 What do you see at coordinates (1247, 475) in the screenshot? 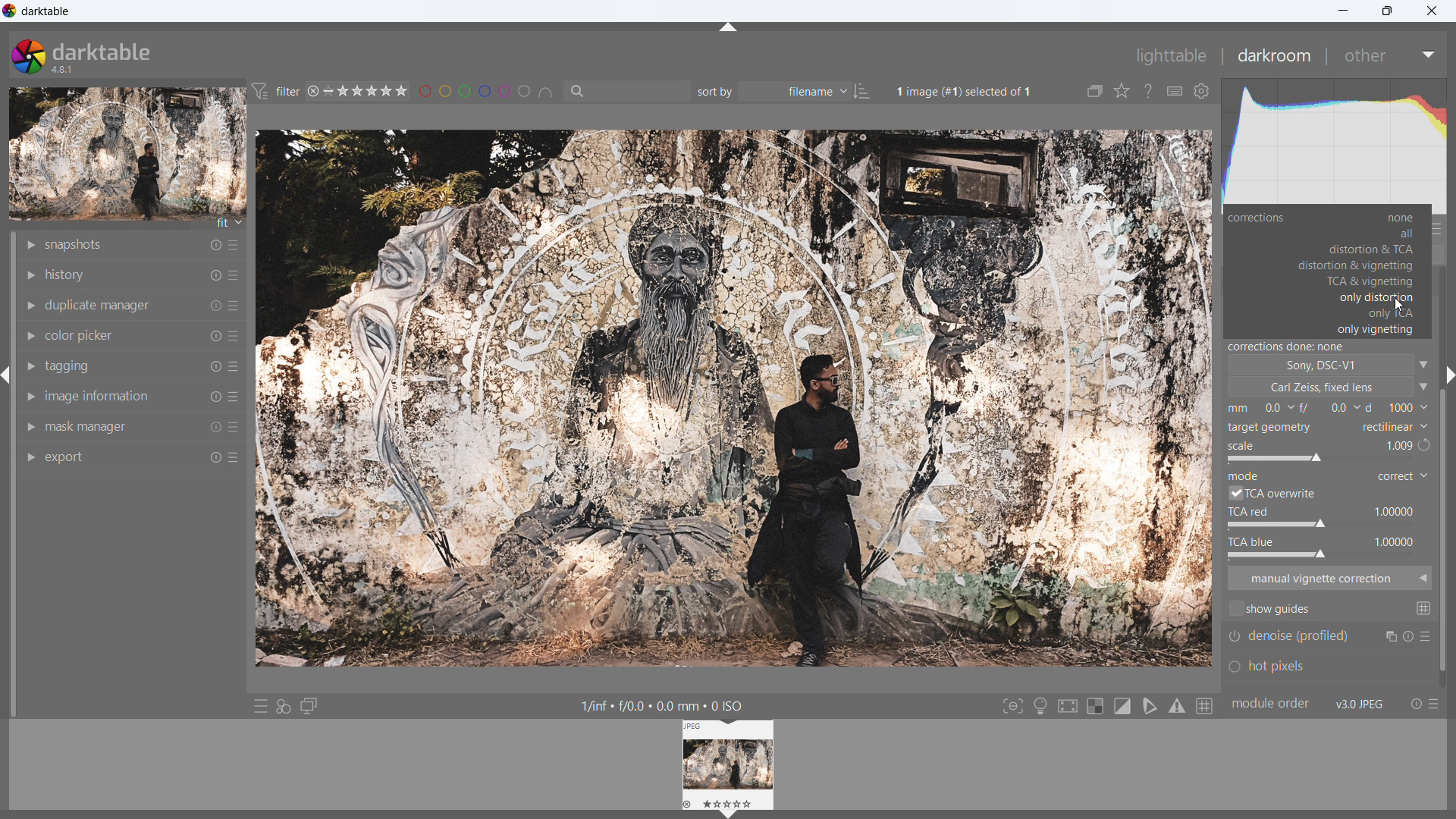
I see `mode` at bounding box center [1247, 475].